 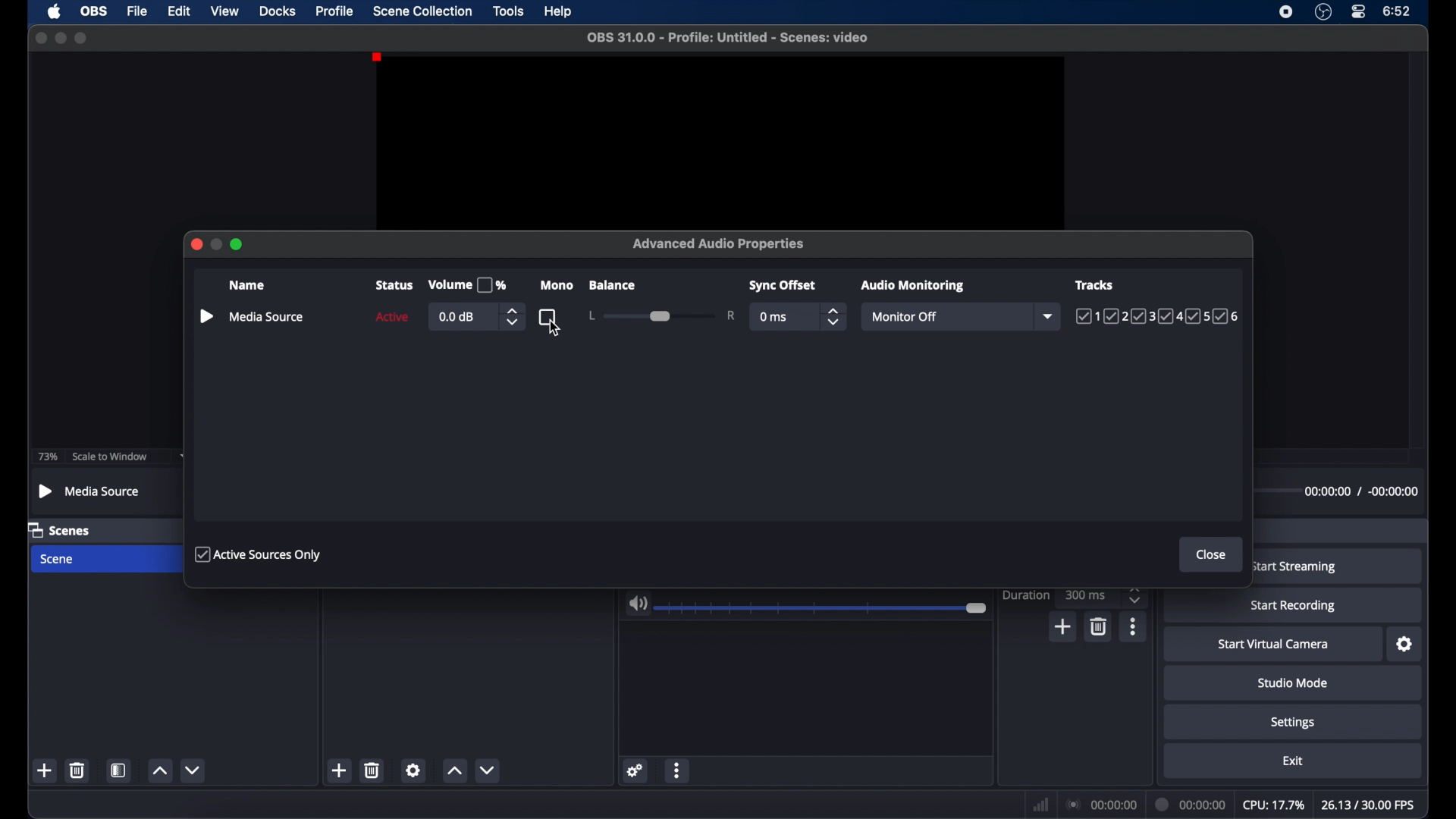 What do you see at coordinates (372, 770) in the screenshot?
I see `delete` at bounding box center [372, 770].